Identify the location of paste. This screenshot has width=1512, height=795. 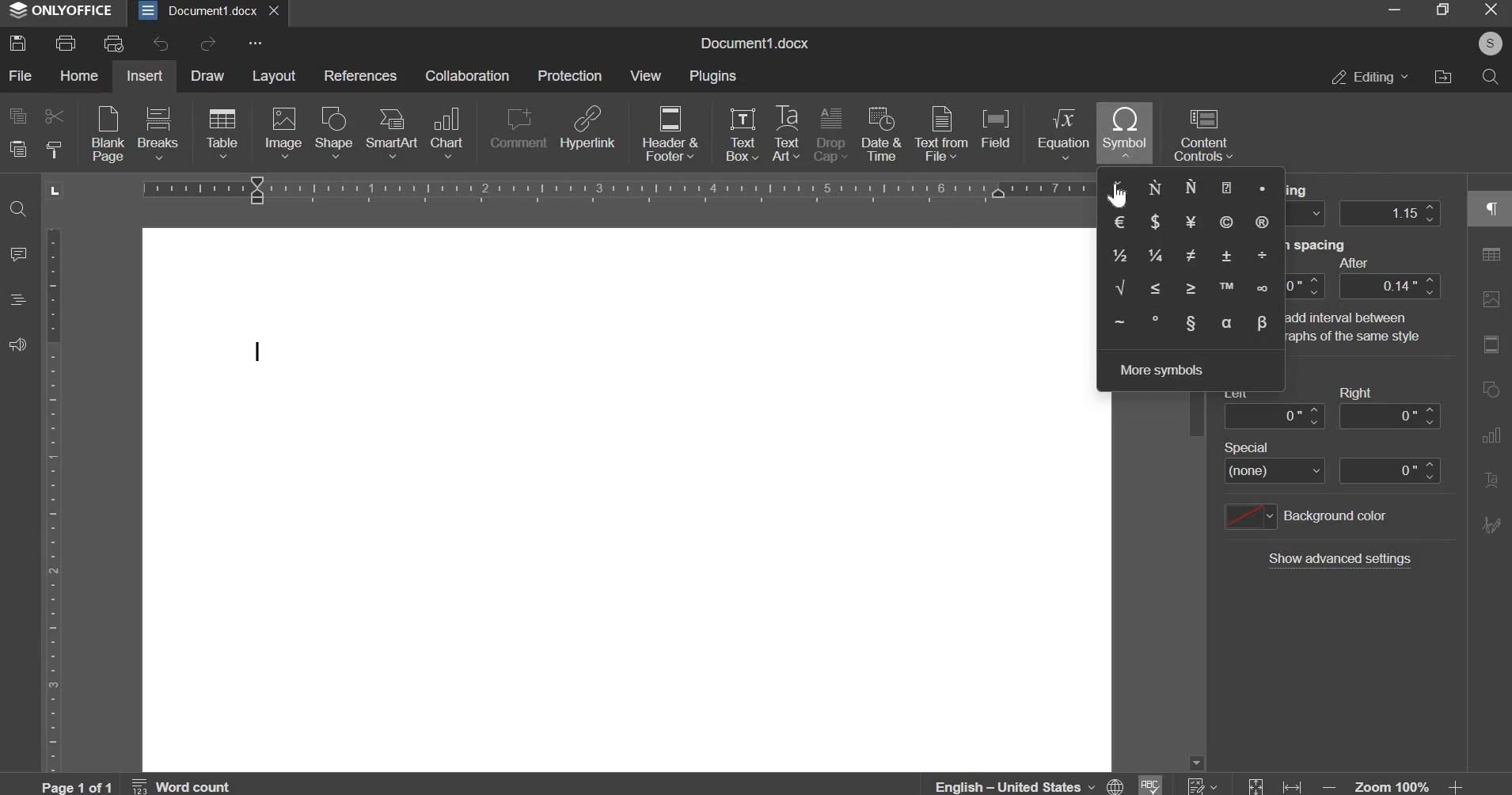
(16, 147).